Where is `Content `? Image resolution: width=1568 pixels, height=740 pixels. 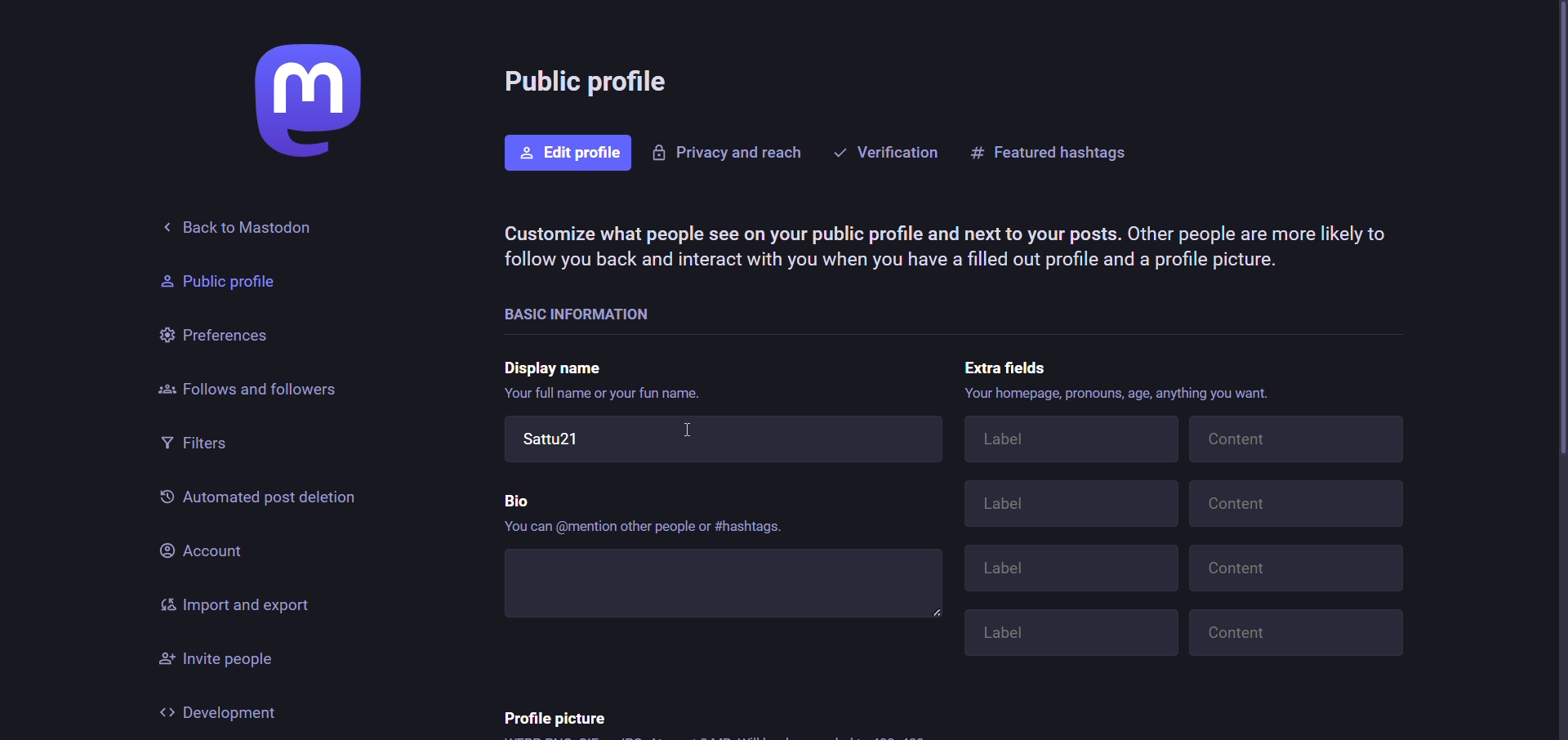 Content  is located at coordinates (1297, 504).